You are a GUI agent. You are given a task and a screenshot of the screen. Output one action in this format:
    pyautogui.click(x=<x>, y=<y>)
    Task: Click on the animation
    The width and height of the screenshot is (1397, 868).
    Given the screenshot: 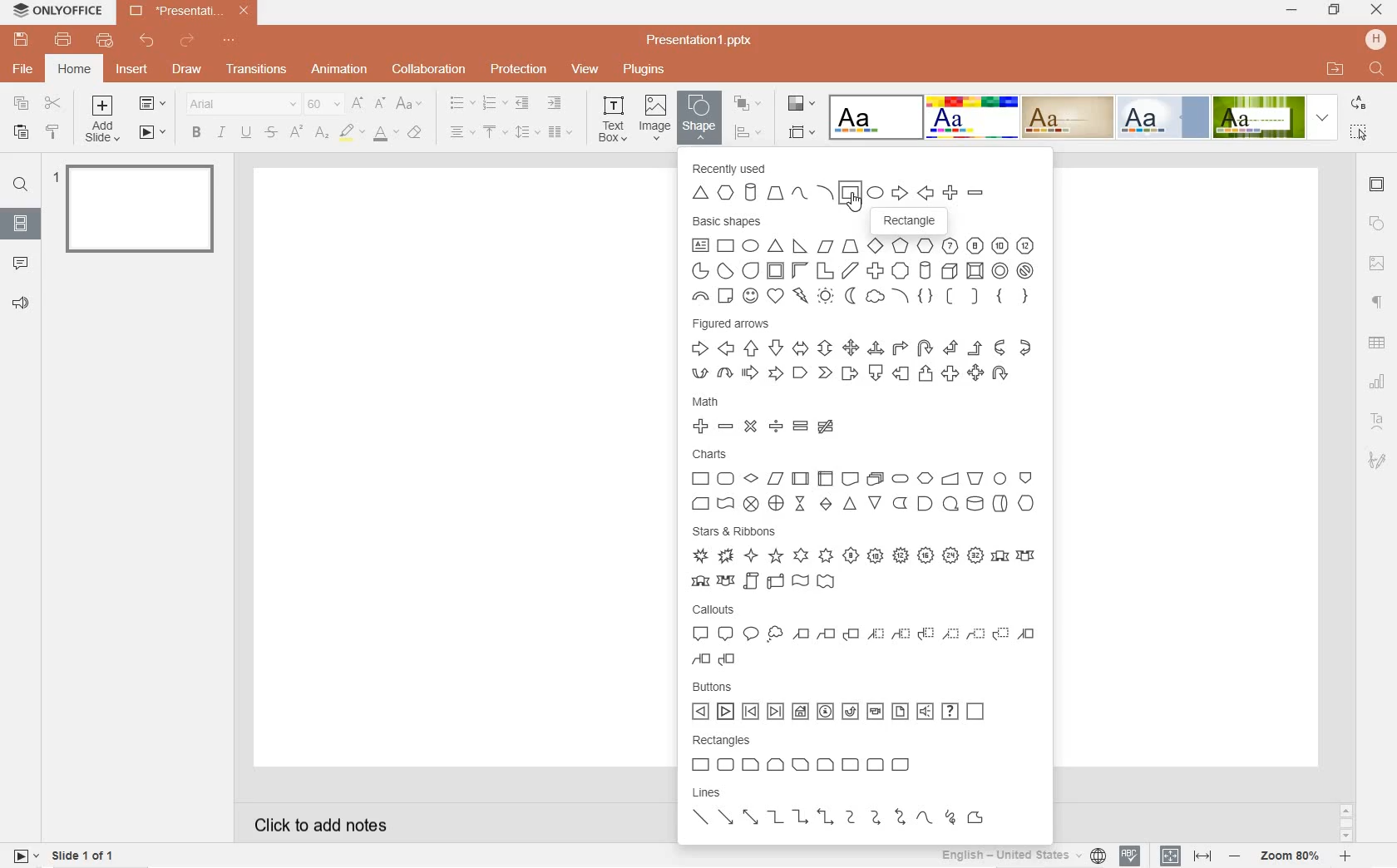 What is the action you would take?
    pyautogui.click(x=340, y=70)
    